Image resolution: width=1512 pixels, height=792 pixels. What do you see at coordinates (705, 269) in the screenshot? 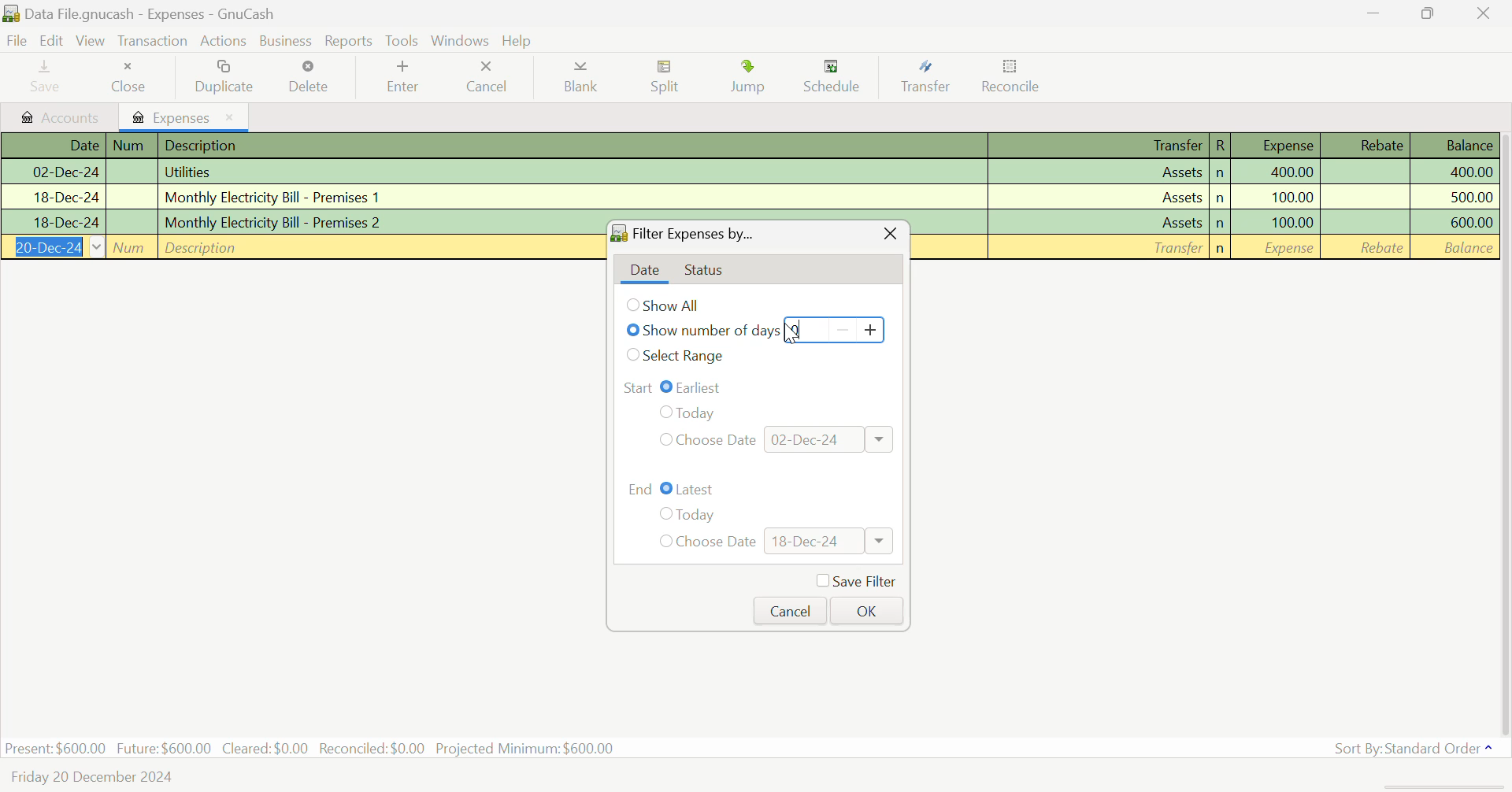
I see `Status Tab` at bounding box center [705, 269].